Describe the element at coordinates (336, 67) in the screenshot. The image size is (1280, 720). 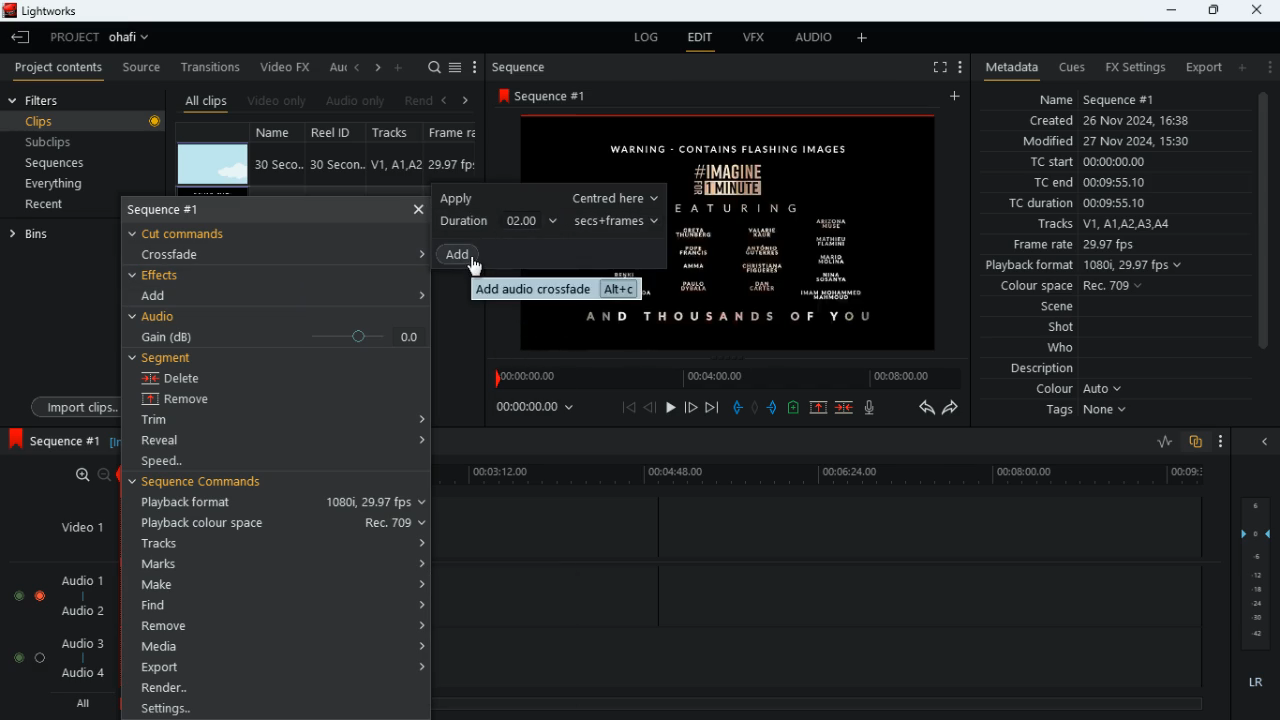
I see `au` at that location.